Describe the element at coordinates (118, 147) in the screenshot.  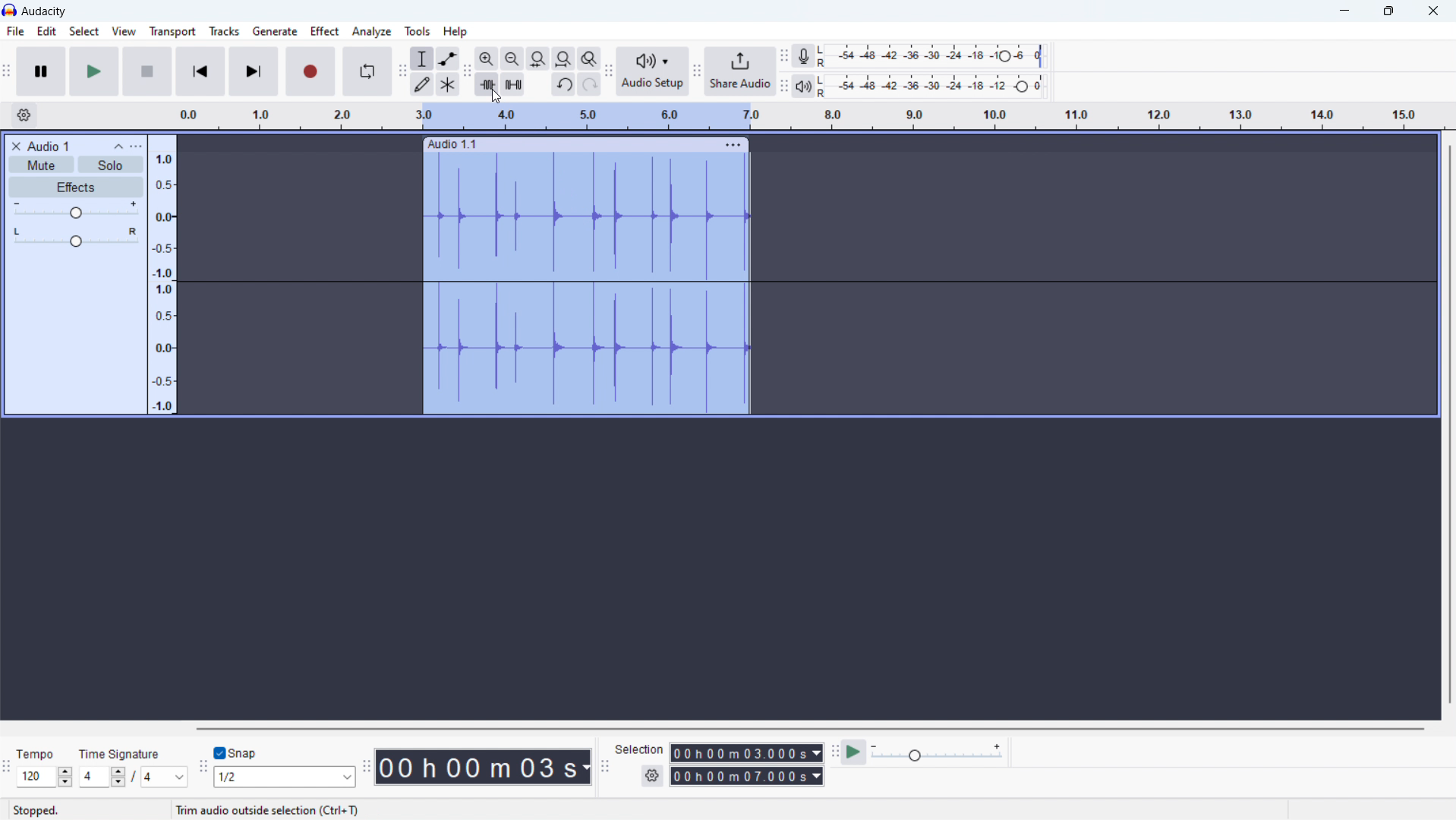
I see `collapse` at that location.